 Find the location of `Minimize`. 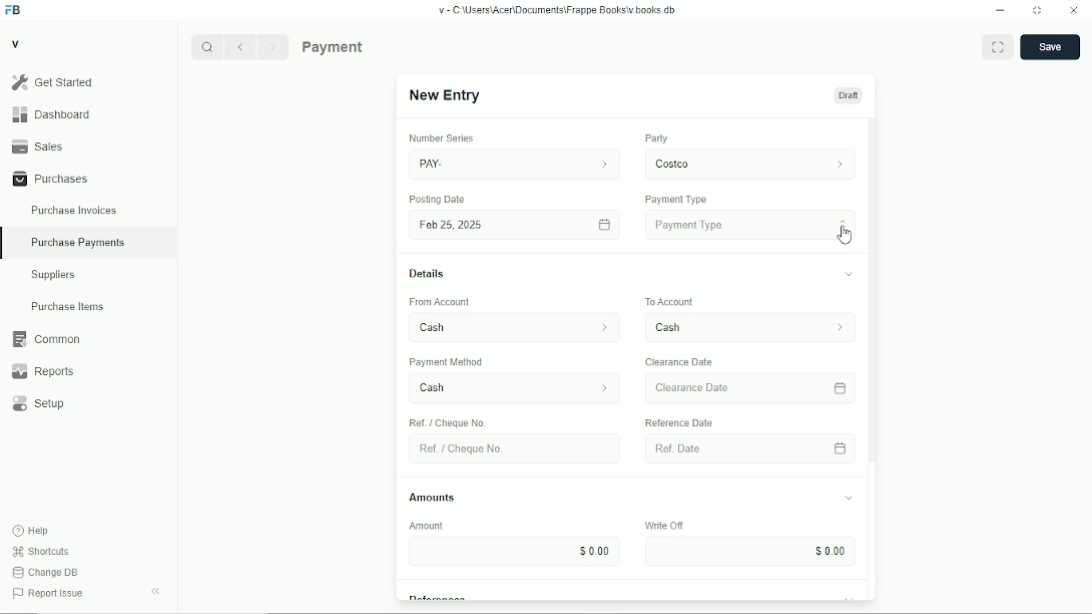

Minimize is located at coordinates (1000, 10).